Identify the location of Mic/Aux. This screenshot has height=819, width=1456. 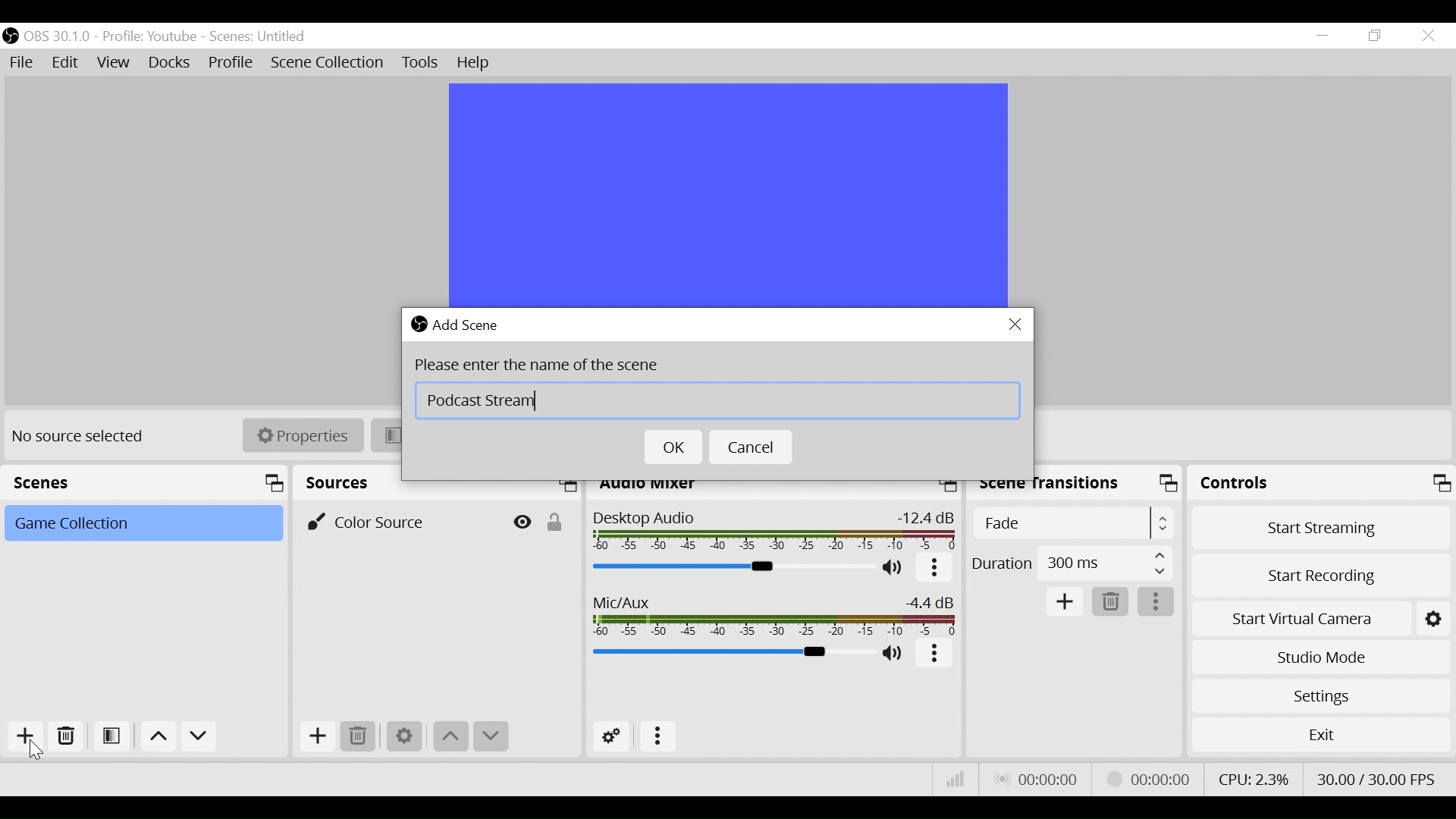
(730, 653).